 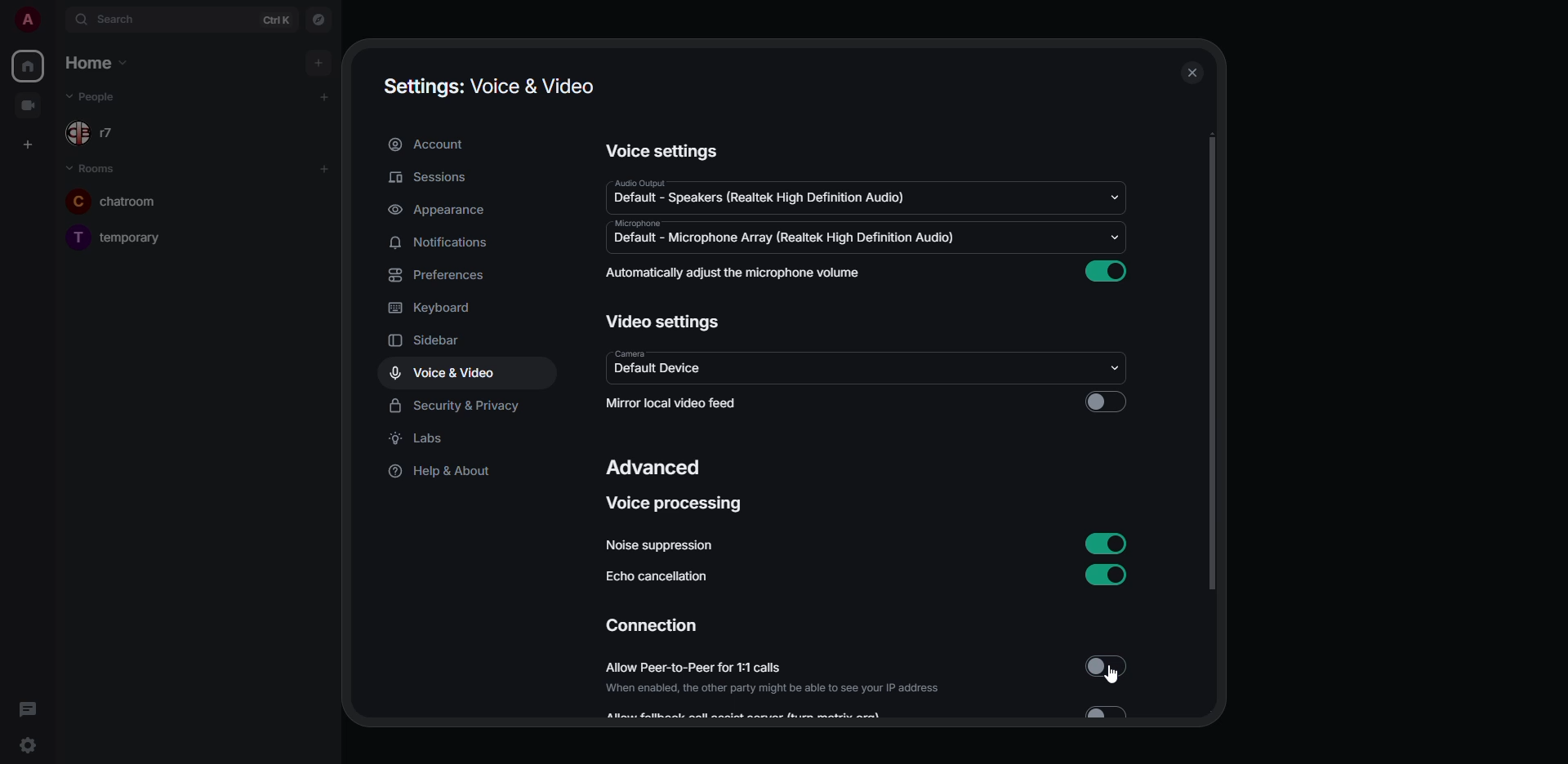 What do you see at coordinates (326, 96) in the screenshot?
I see `add` at bounding box center [326, 96].